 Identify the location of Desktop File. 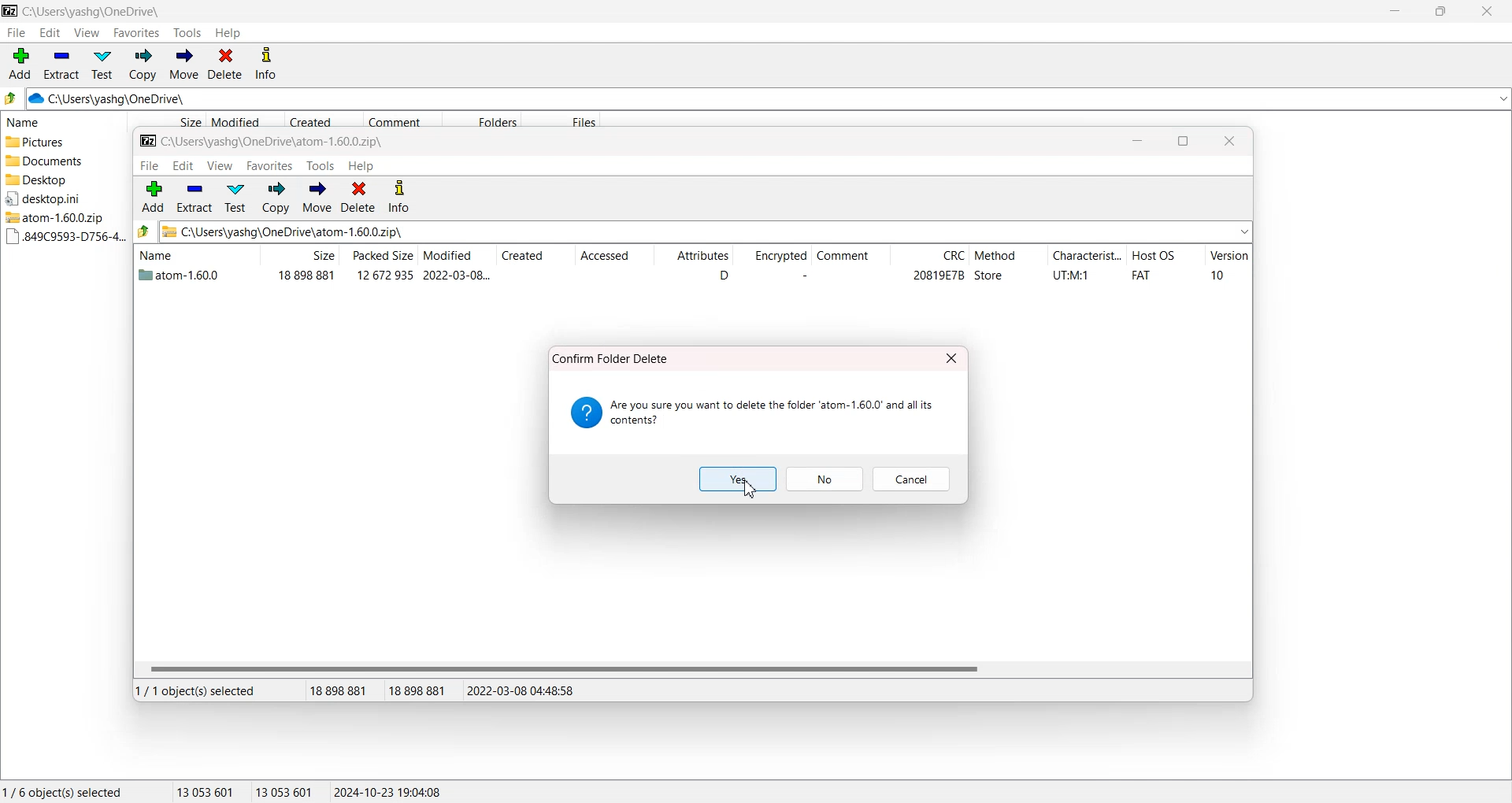
(58, 198).